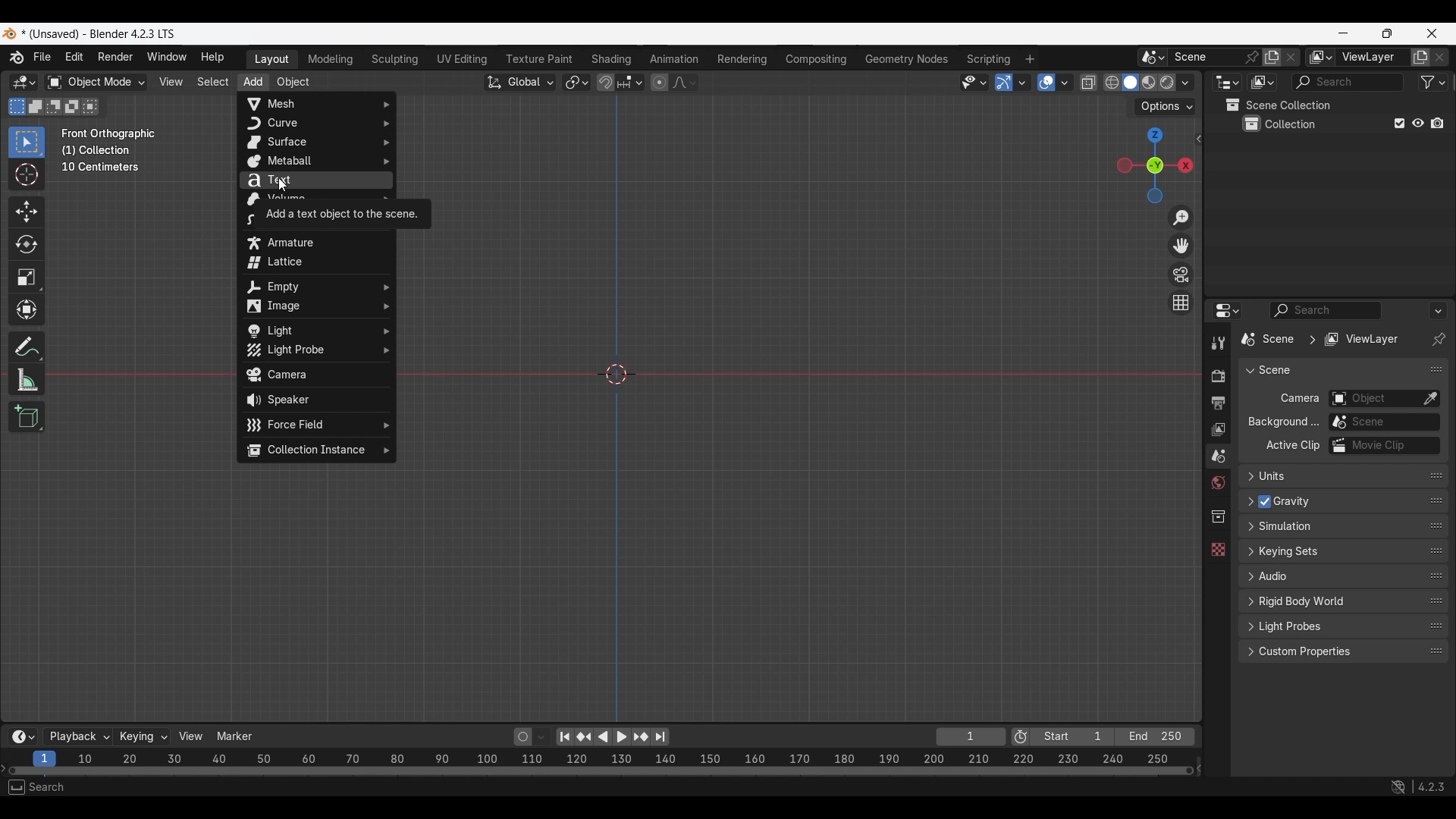 This screenshot has height=819, width=1456. What do you see at coordinates (1021, 737) in the screenshot?
I see `Use preview range` at bounding box center [1021, 737].